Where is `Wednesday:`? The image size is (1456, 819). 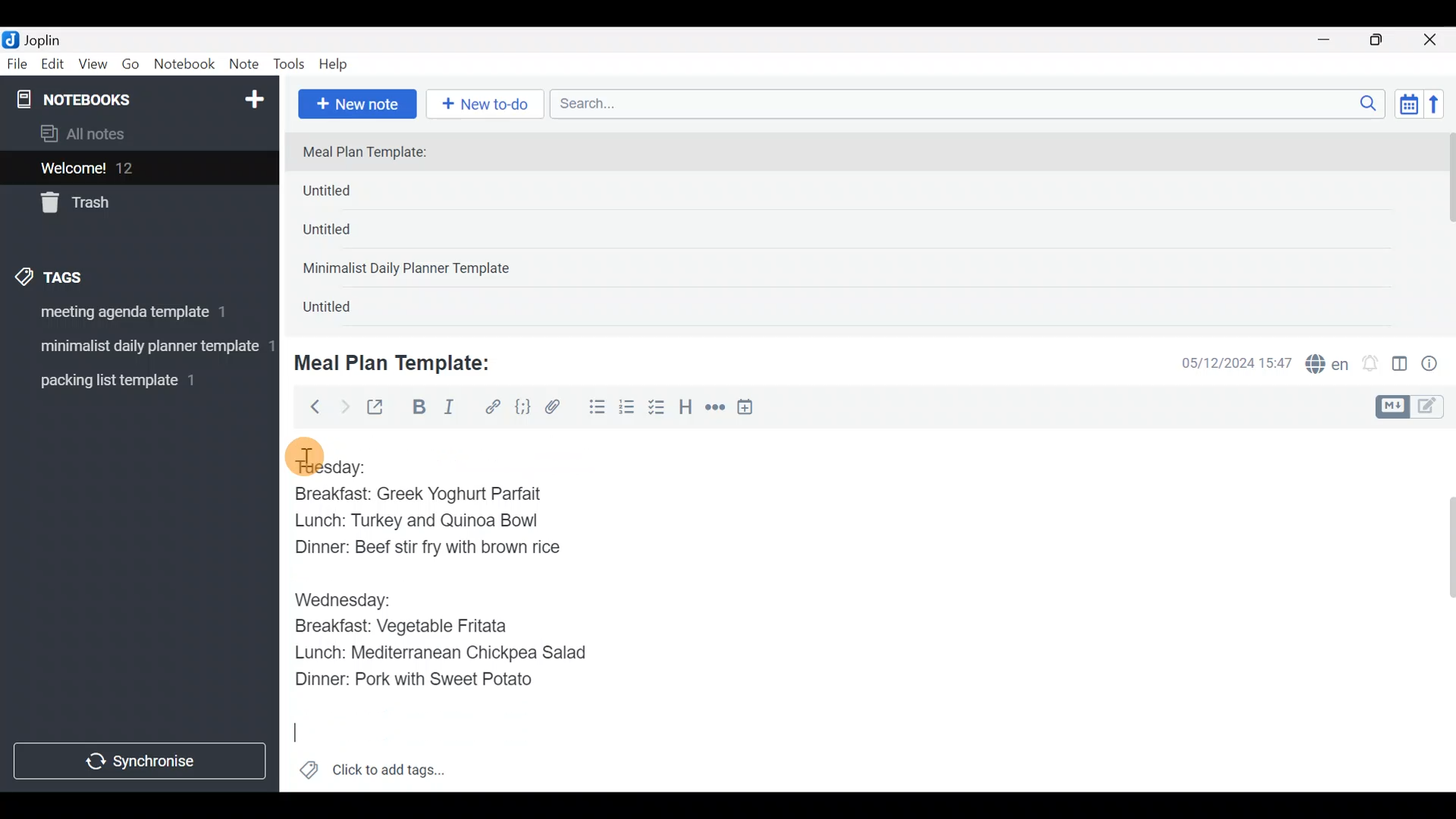 Wednesday: is located at coordinates (342, 599).